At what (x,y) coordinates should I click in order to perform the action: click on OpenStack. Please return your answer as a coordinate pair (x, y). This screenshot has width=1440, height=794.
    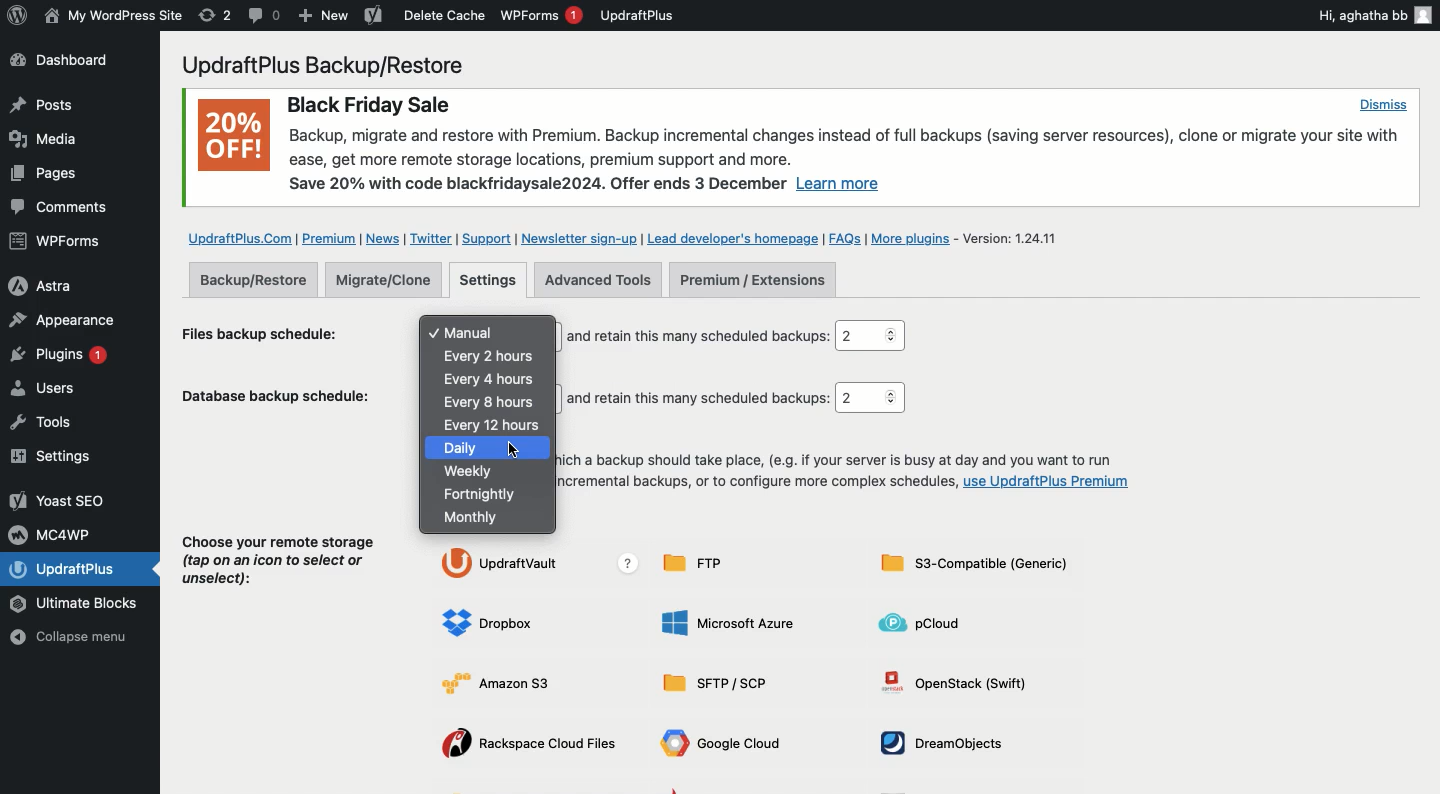
    Looking at the image, I should click on (963, 681).